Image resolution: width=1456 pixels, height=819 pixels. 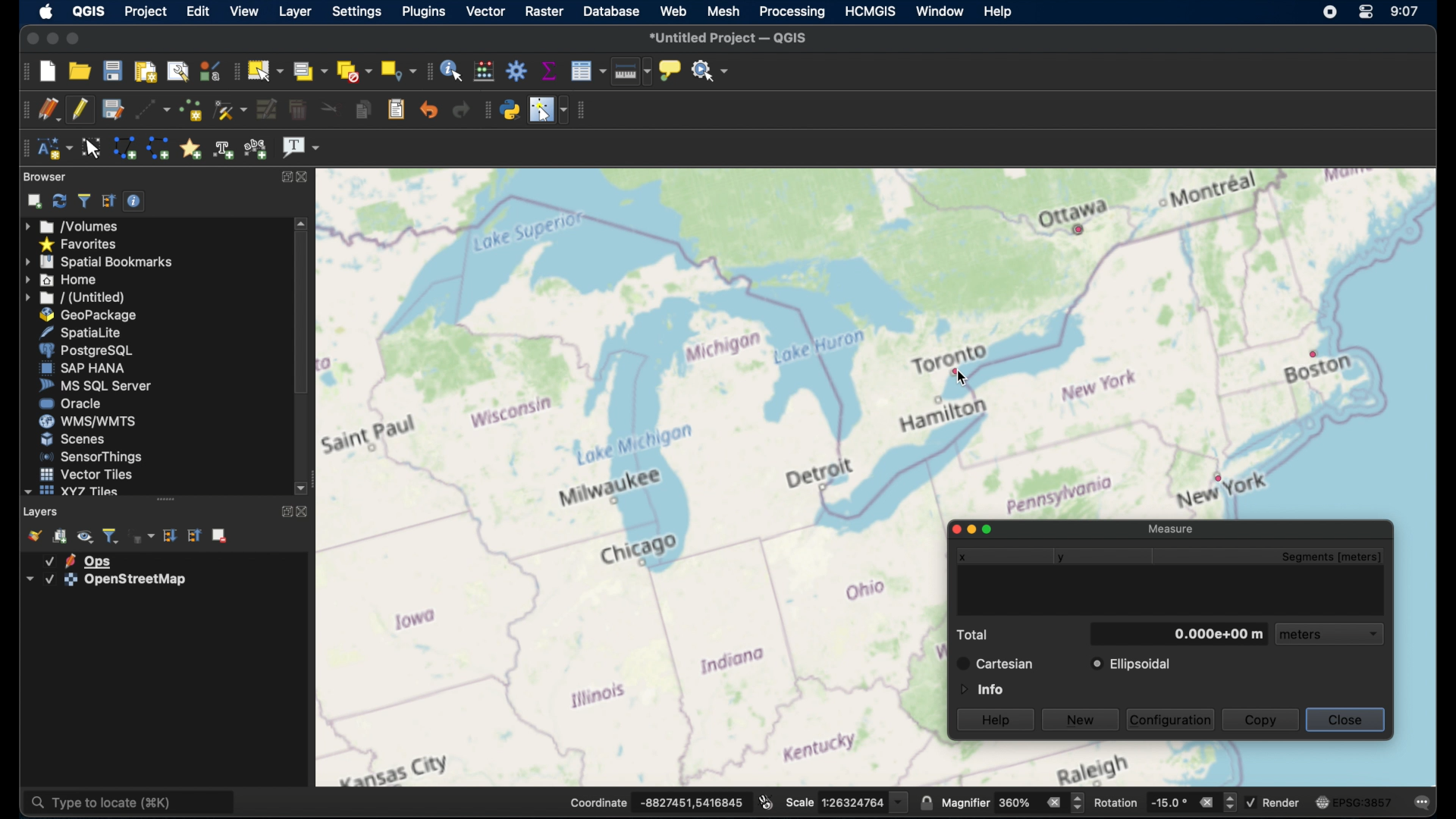 I want to click on filter browser, so click(x=83, y=200).